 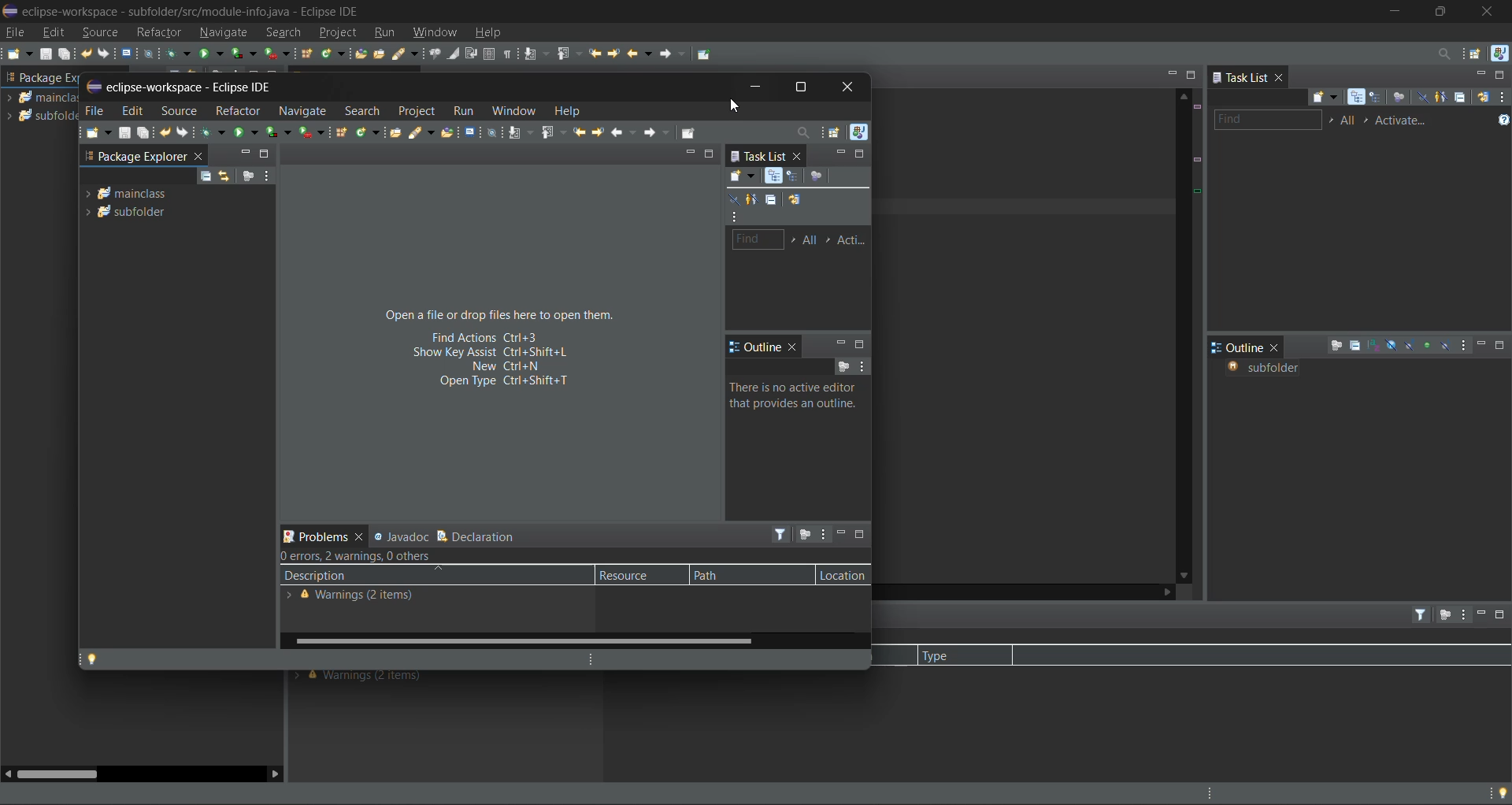 What do you see at coordinates (150, 52) in the screenshot?
I see `skip all breakpoints` at bounding box center [150, 52].